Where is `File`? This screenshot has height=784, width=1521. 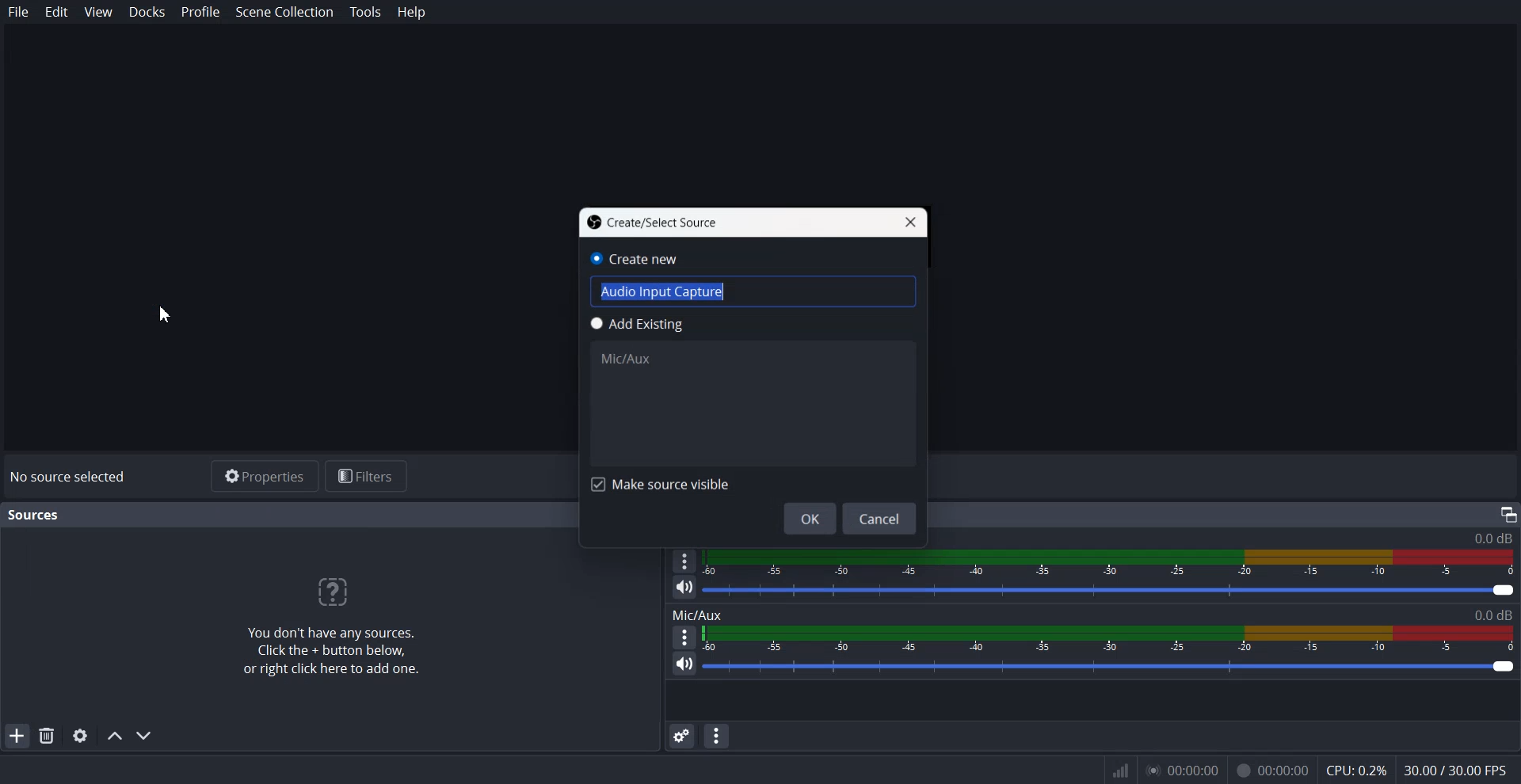 File is located at coordinates (19, 12).